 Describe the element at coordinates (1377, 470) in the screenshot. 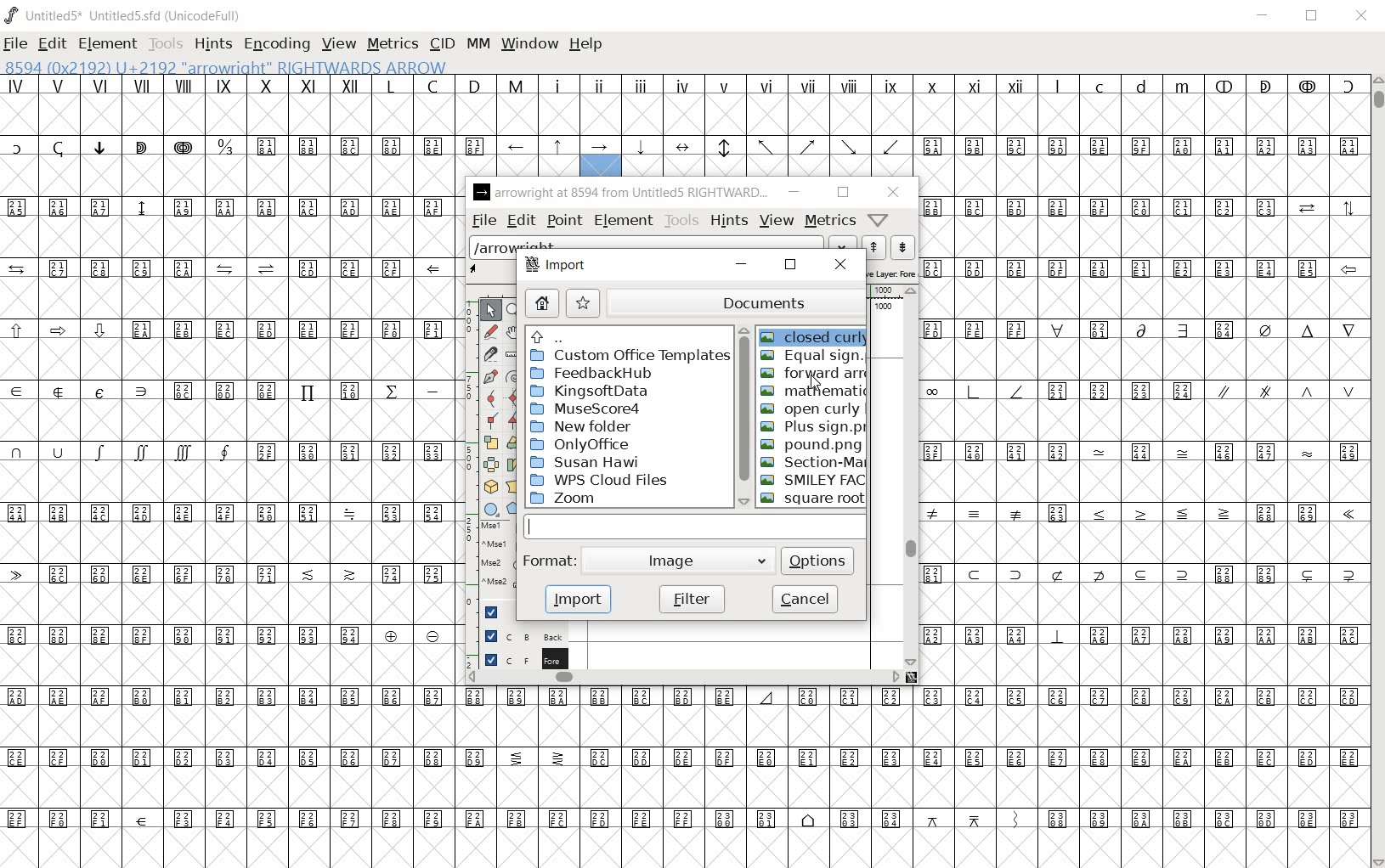

I see `SCROLLBAR` at that location.